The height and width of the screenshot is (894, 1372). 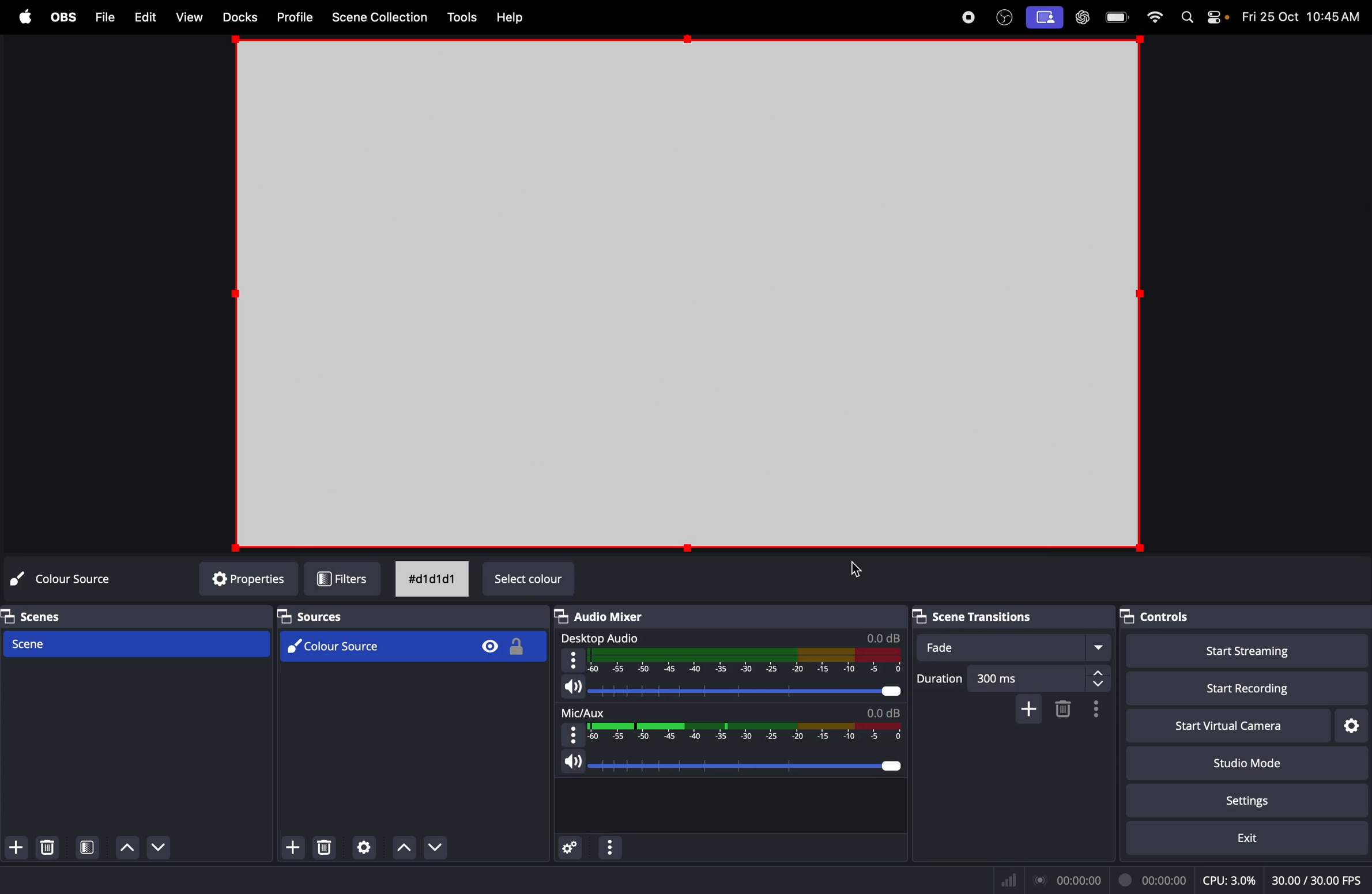 What do you see at coordinates (237, 17) in the screenshot?
I see `Docks` at bounding box center [237, 17].